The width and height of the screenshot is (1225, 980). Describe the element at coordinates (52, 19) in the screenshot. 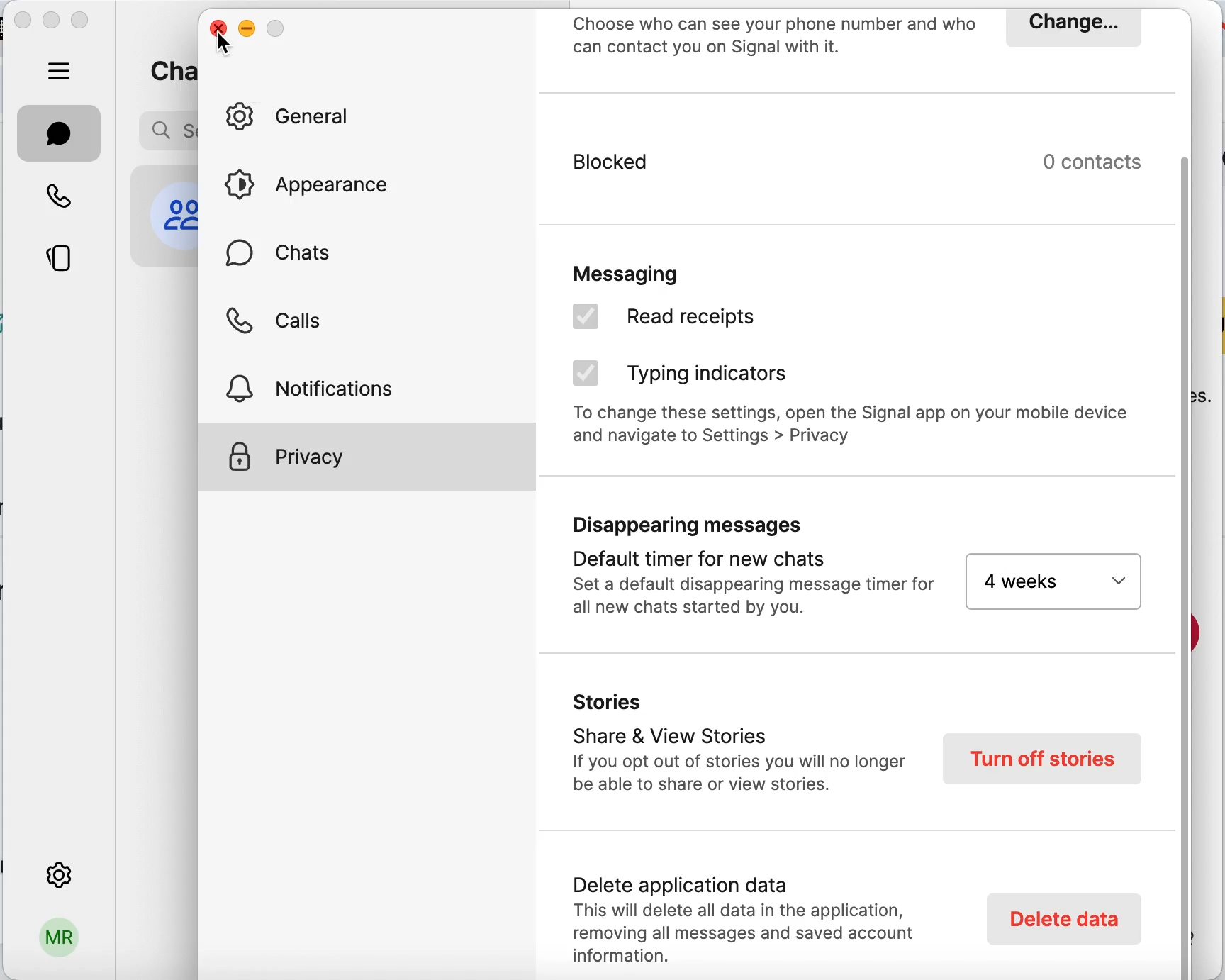

I see `minimize` at that location.